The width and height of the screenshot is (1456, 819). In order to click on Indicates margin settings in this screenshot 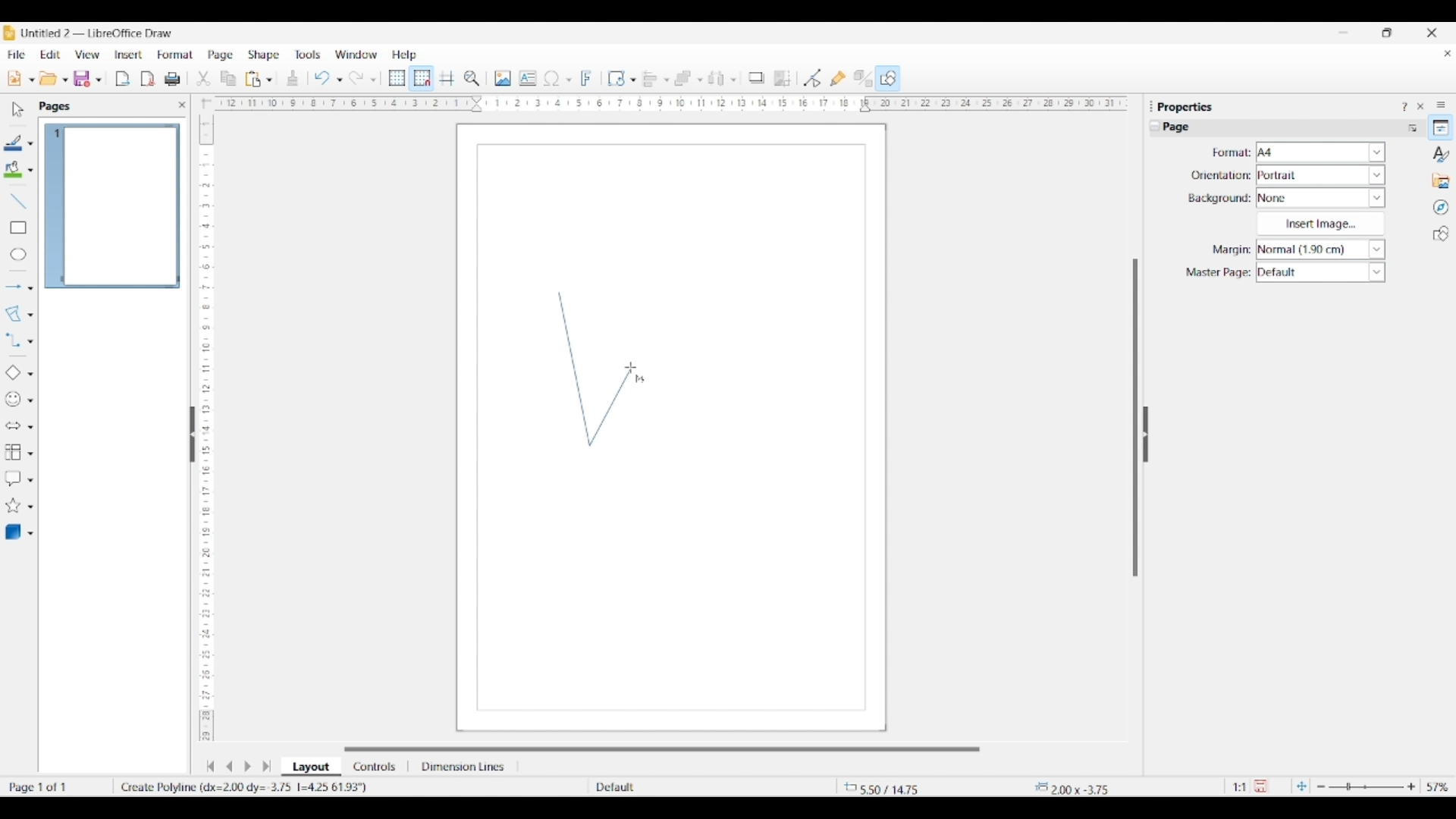, I will do `click(1229, 250)`.